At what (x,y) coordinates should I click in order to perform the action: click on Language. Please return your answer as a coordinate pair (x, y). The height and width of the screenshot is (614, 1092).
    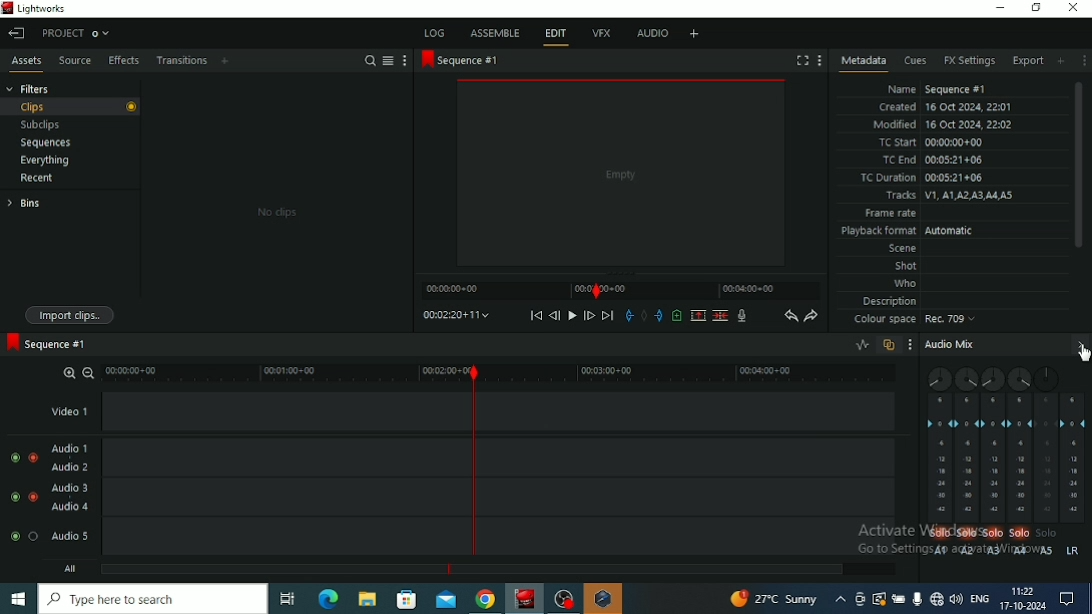
    Looking at the image, I should click on (981, 597).